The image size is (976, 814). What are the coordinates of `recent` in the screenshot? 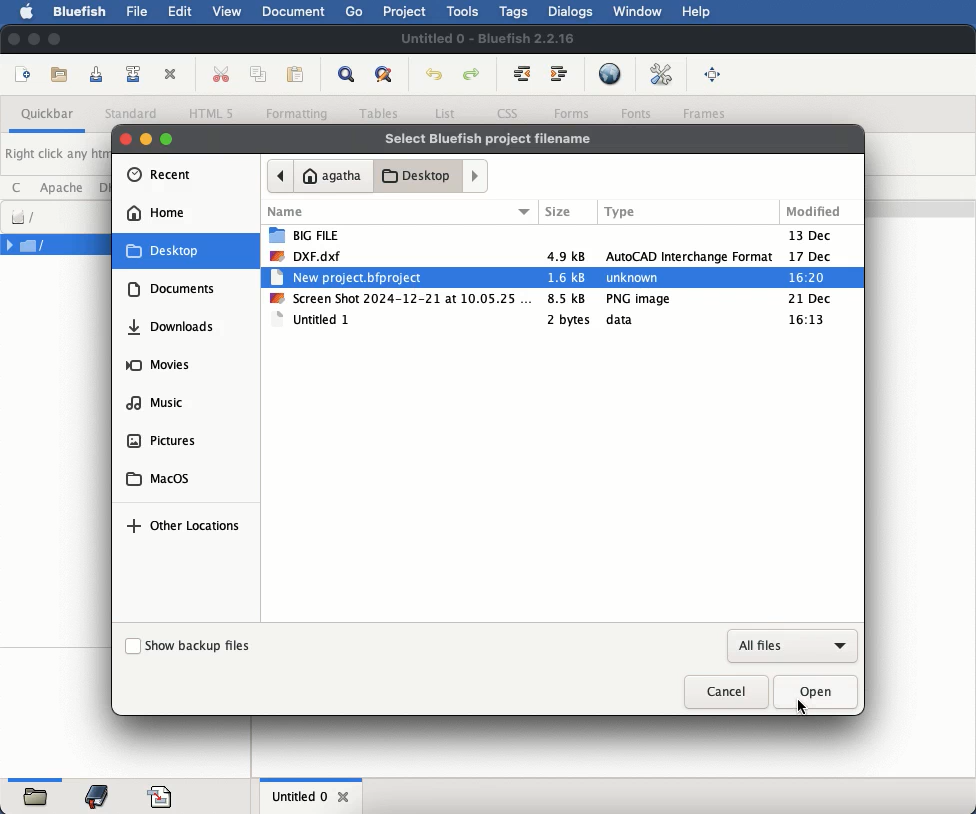 It's located at (161, 175).